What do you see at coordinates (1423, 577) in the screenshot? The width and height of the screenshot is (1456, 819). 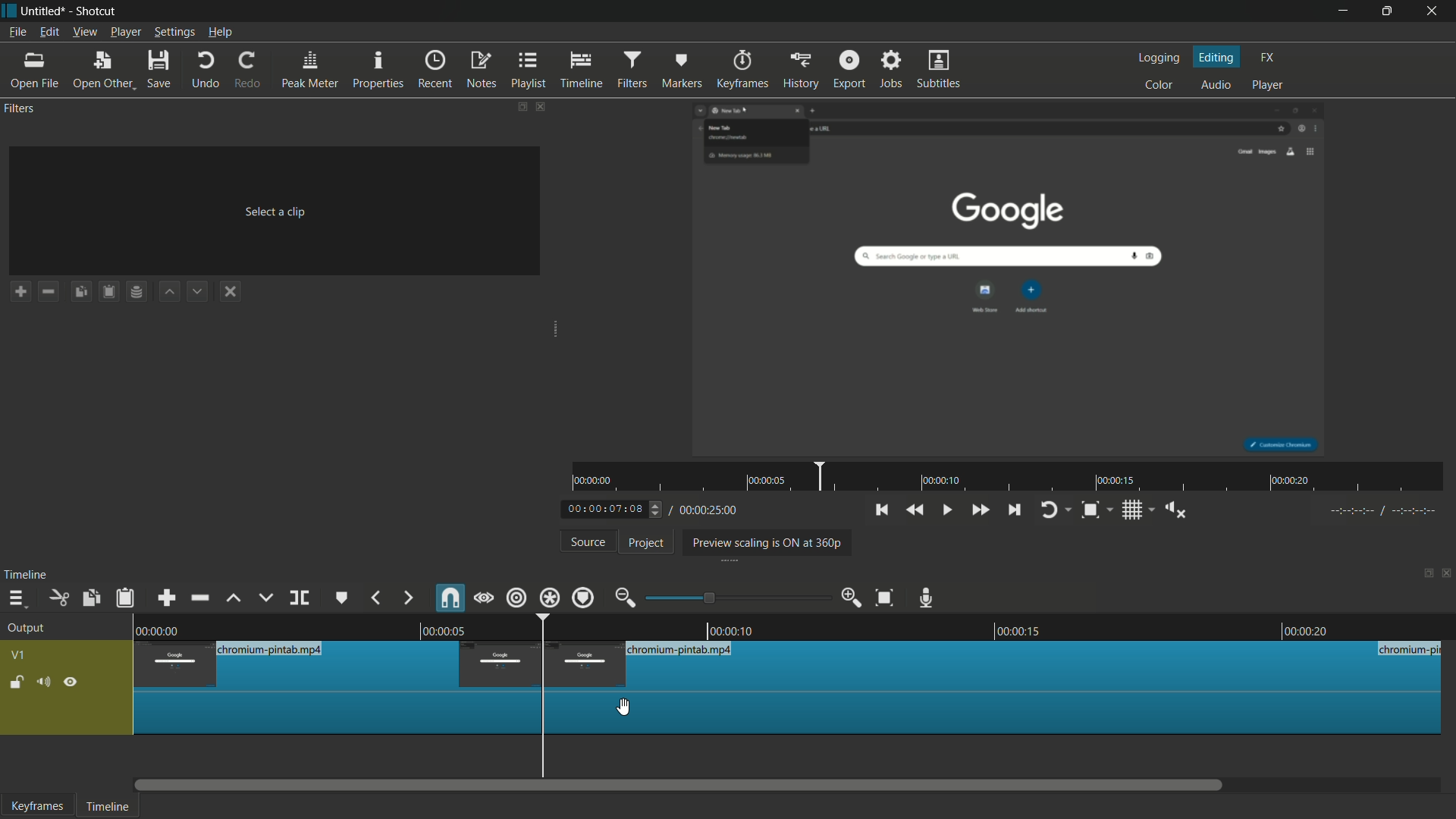 I see `change layout` at bounding box center [1423, 577].